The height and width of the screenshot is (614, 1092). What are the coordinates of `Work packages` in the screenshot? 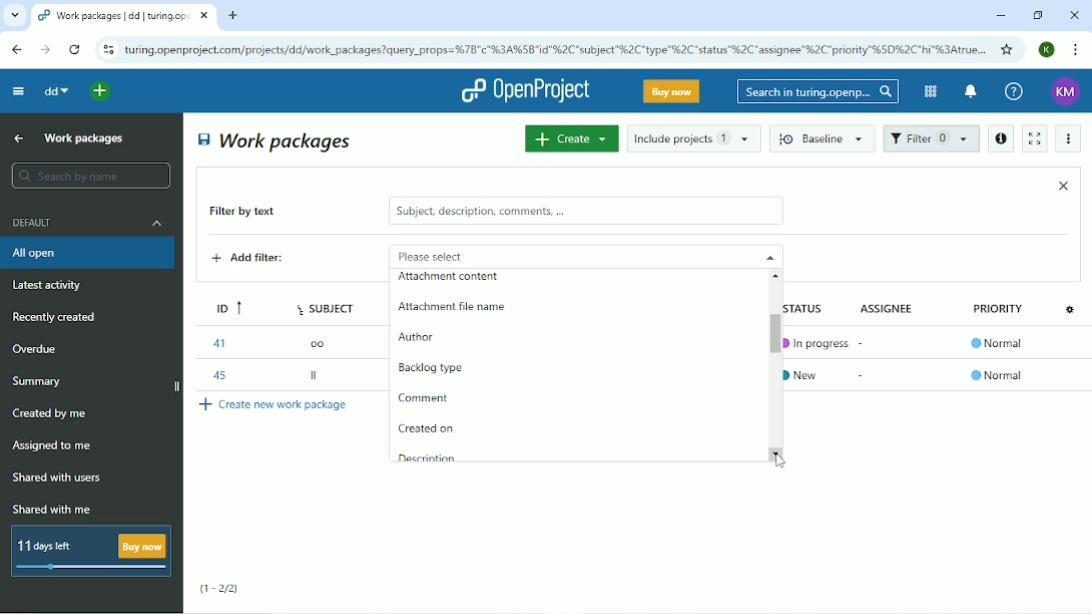 It's located at (85, 137).